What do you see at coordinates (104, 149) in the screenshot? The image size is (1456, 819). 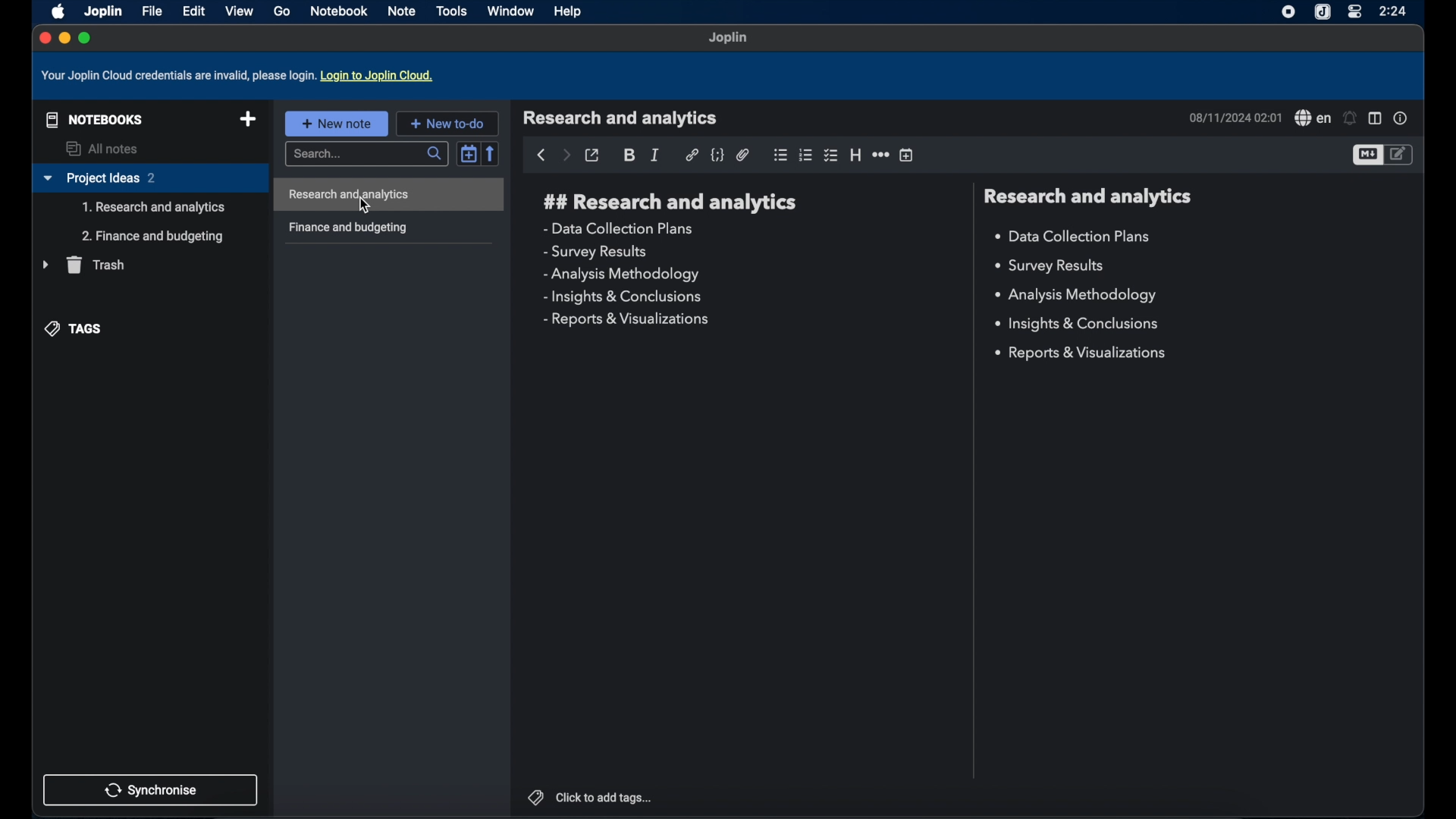 I see `all notes` at bounding box center [104, 149].